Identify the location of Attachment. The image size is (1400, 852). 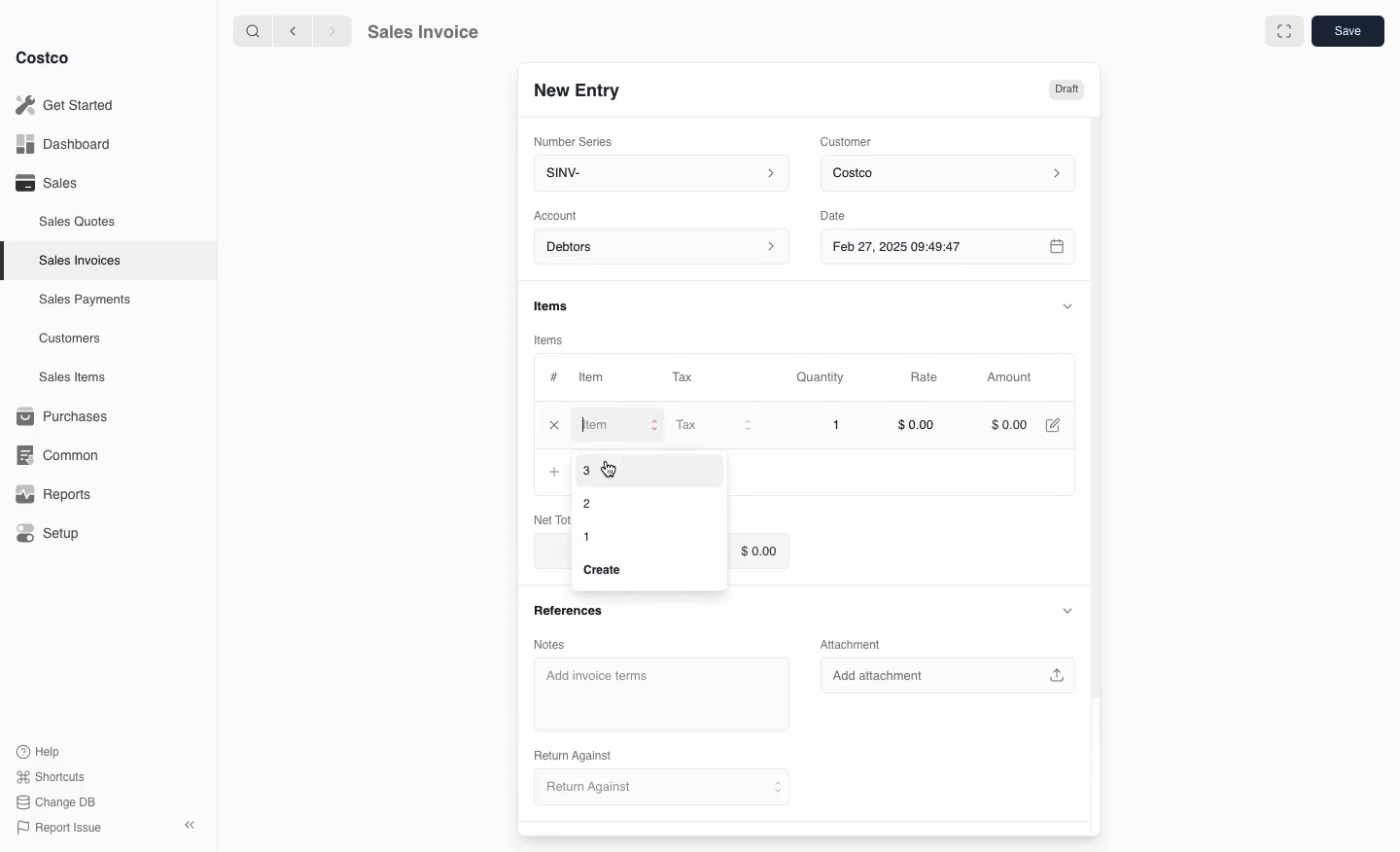
(856, 647).